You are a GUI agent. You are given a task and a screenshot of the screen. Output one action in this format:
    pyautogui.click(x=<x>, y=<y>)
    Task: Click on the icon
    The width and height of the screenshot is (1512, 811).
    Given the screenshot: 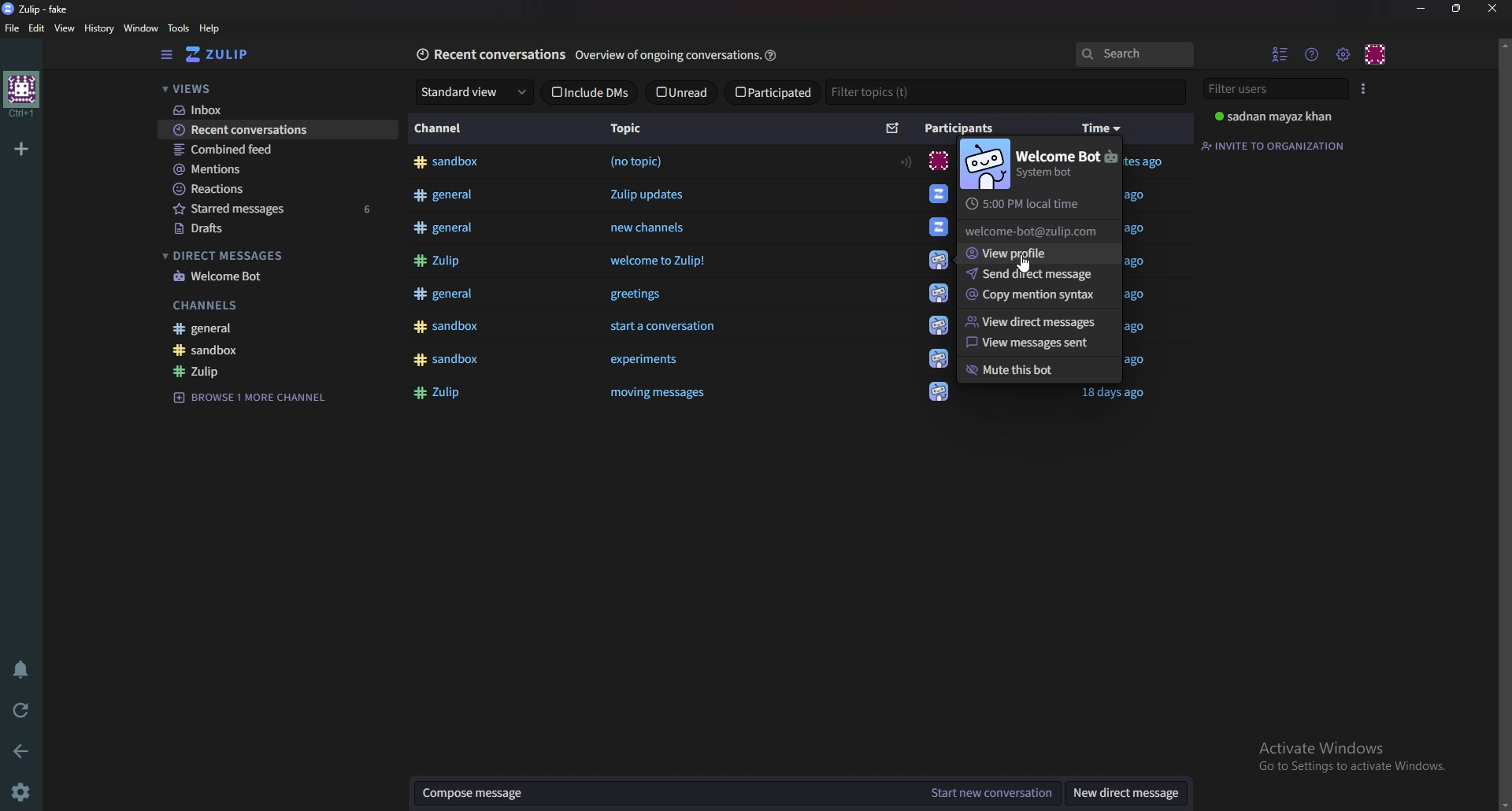 What is the action you would take?
    pyautogui.click(x=939, y=357)
    